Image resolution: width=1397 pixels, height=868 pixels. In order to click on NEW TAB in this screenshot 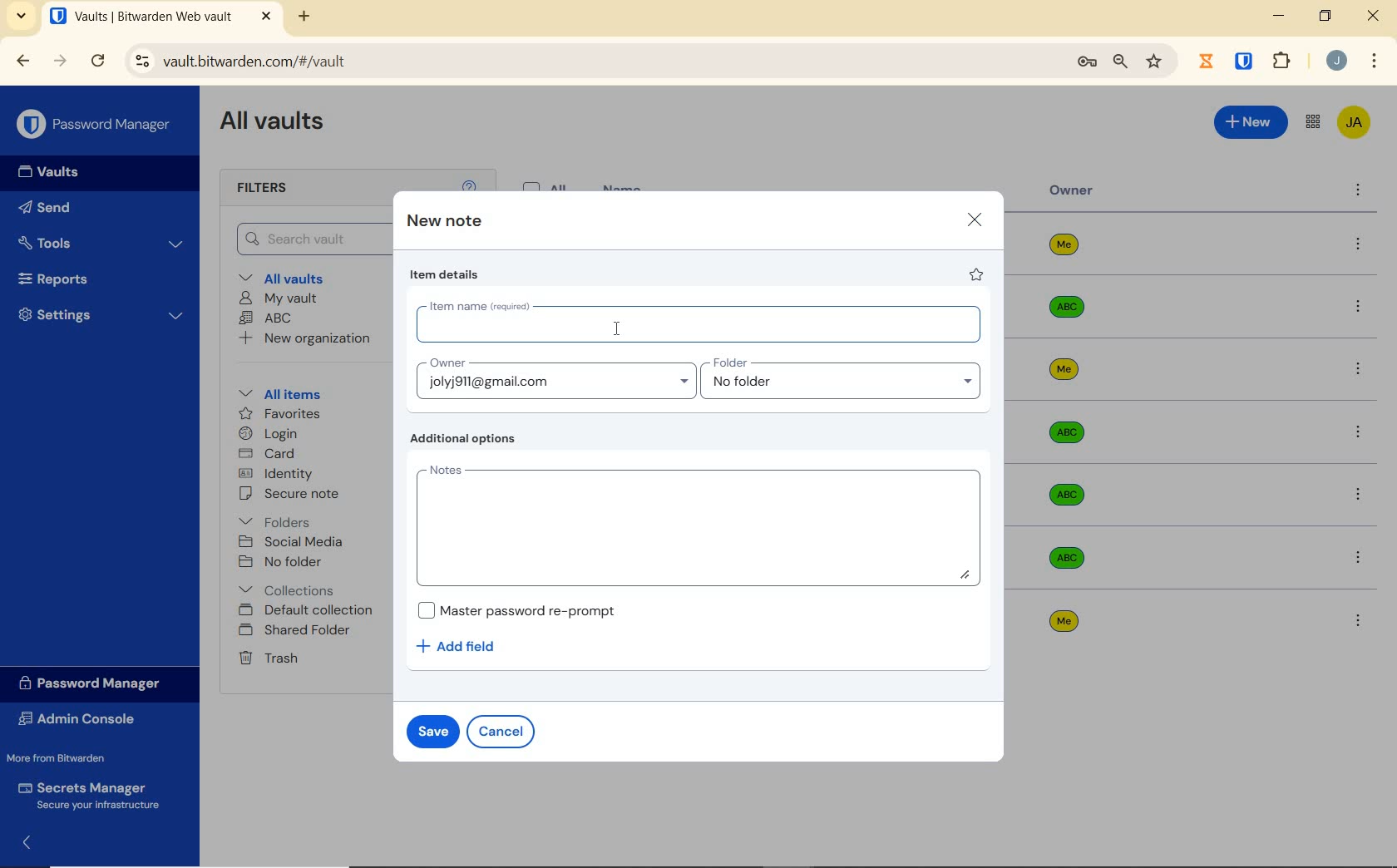, I will do `click(306, 17)`.